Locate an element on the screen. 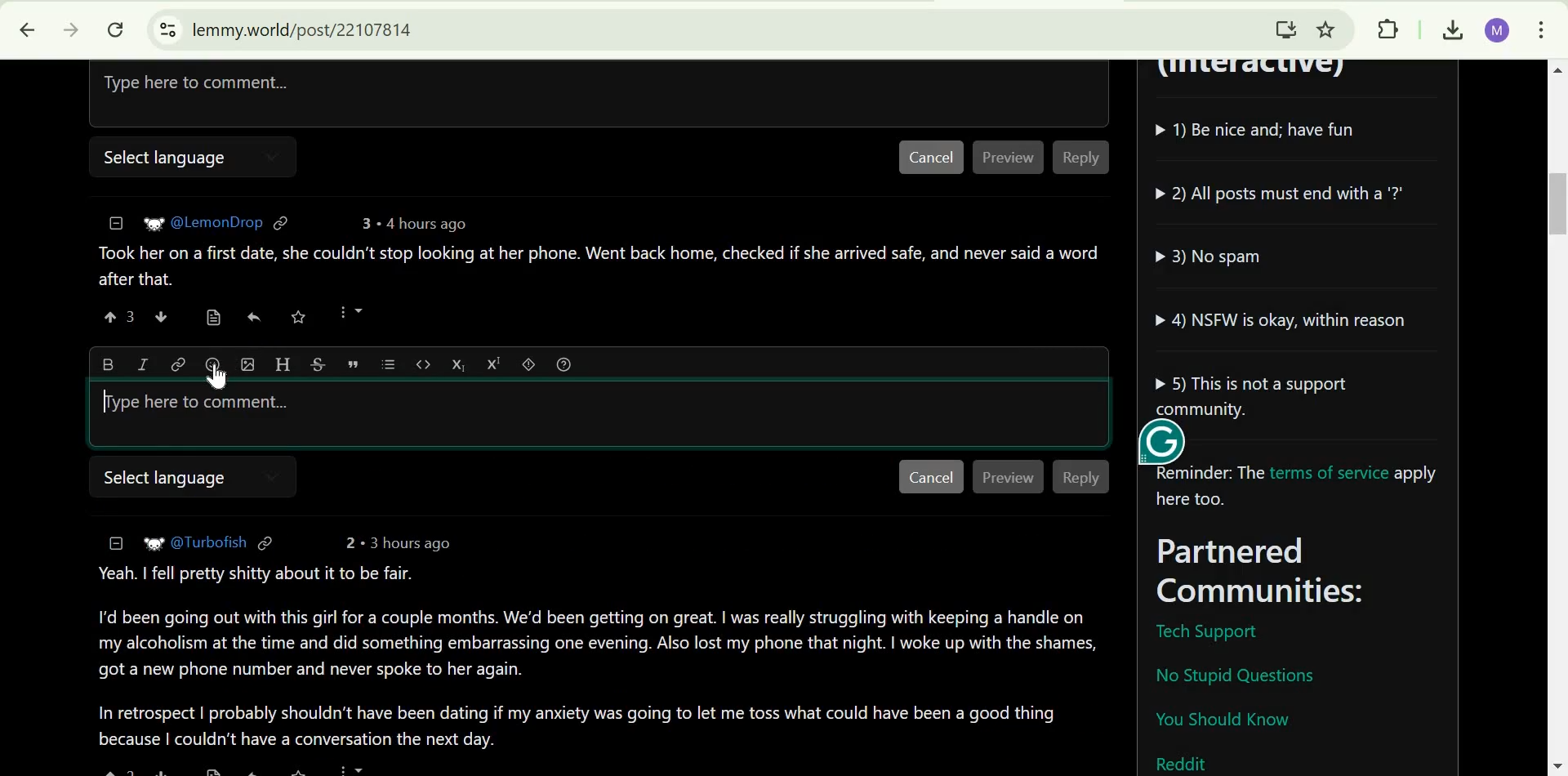  Header is located at coordinates (282, 363).